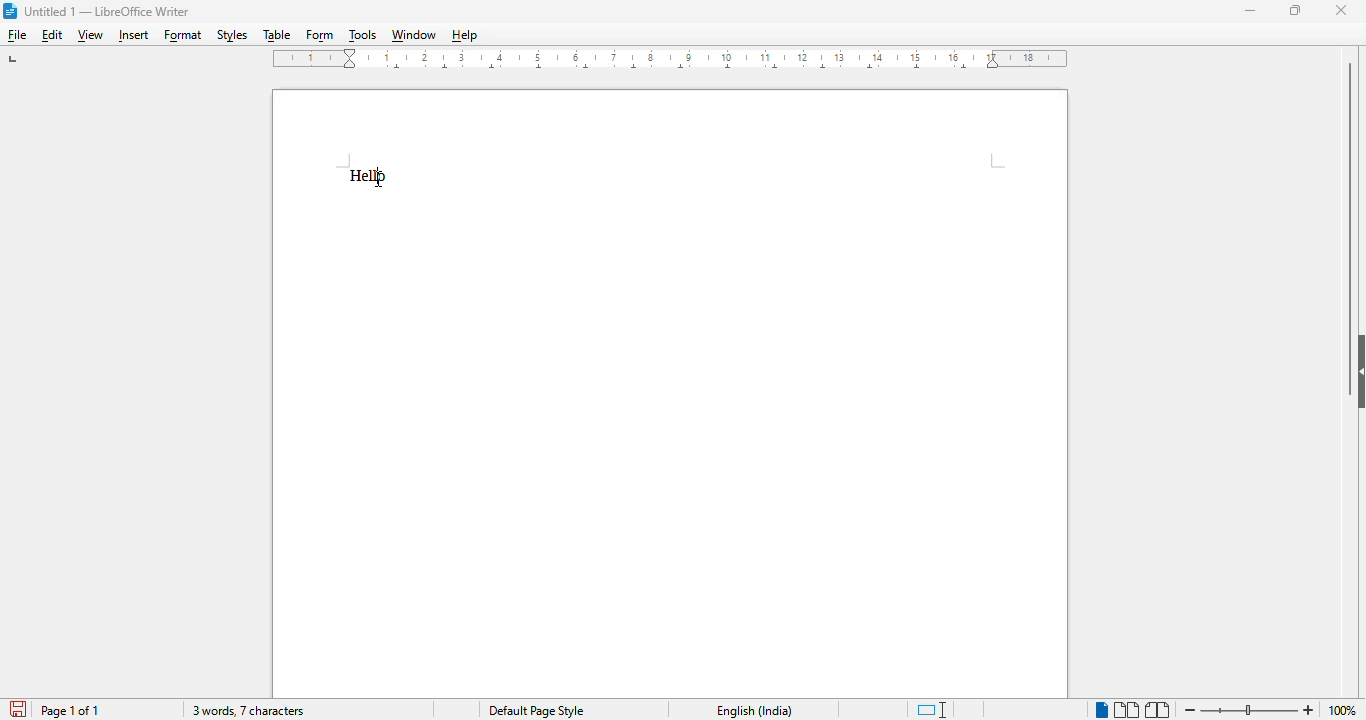 This screenshot has height=720, width=1366. I want to click on vertical scroll bar, so click(1349, 192).